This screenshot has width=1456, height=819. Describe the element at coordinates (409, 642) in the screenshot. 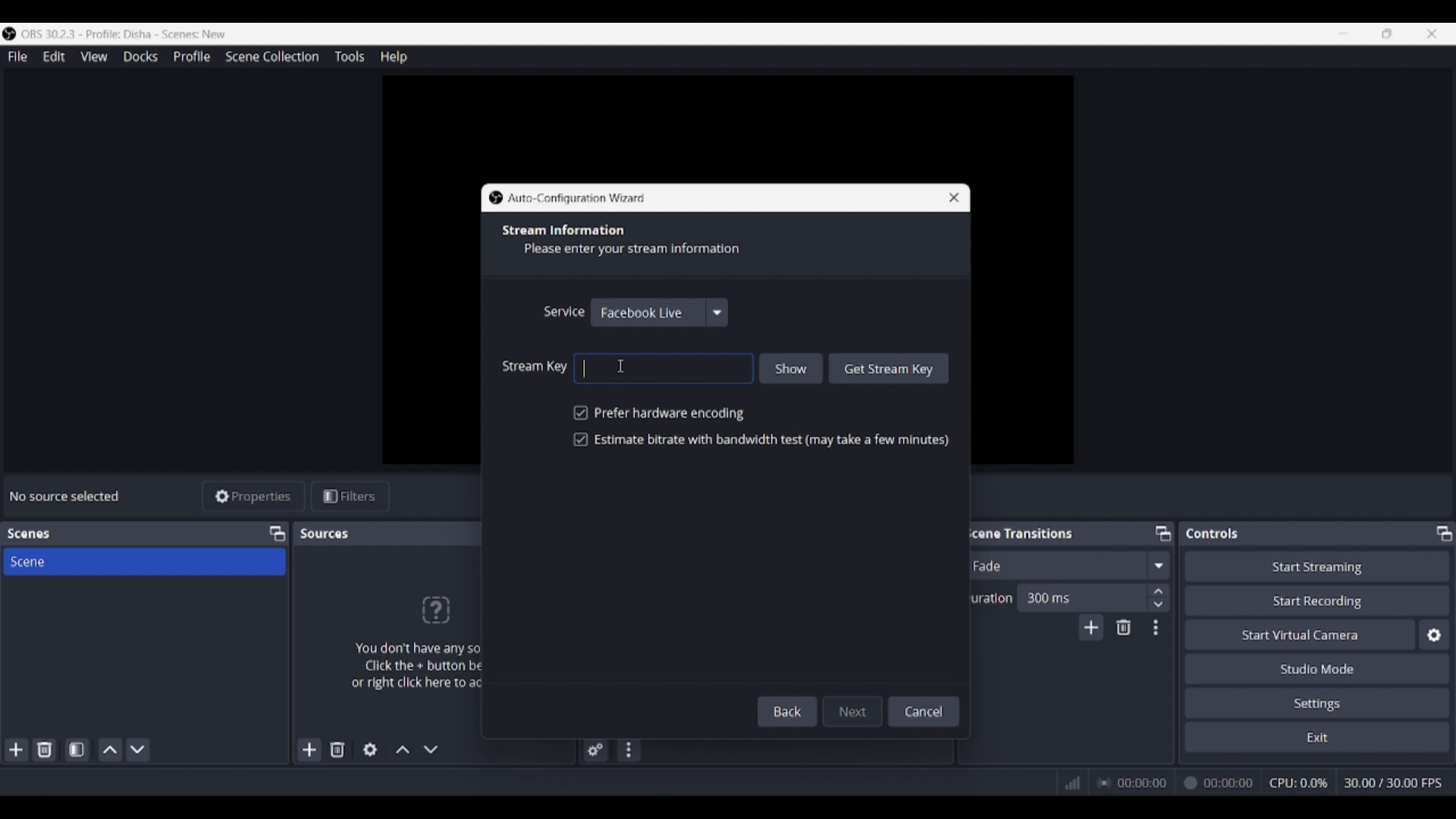

I see `Panel logo and text` at that location.